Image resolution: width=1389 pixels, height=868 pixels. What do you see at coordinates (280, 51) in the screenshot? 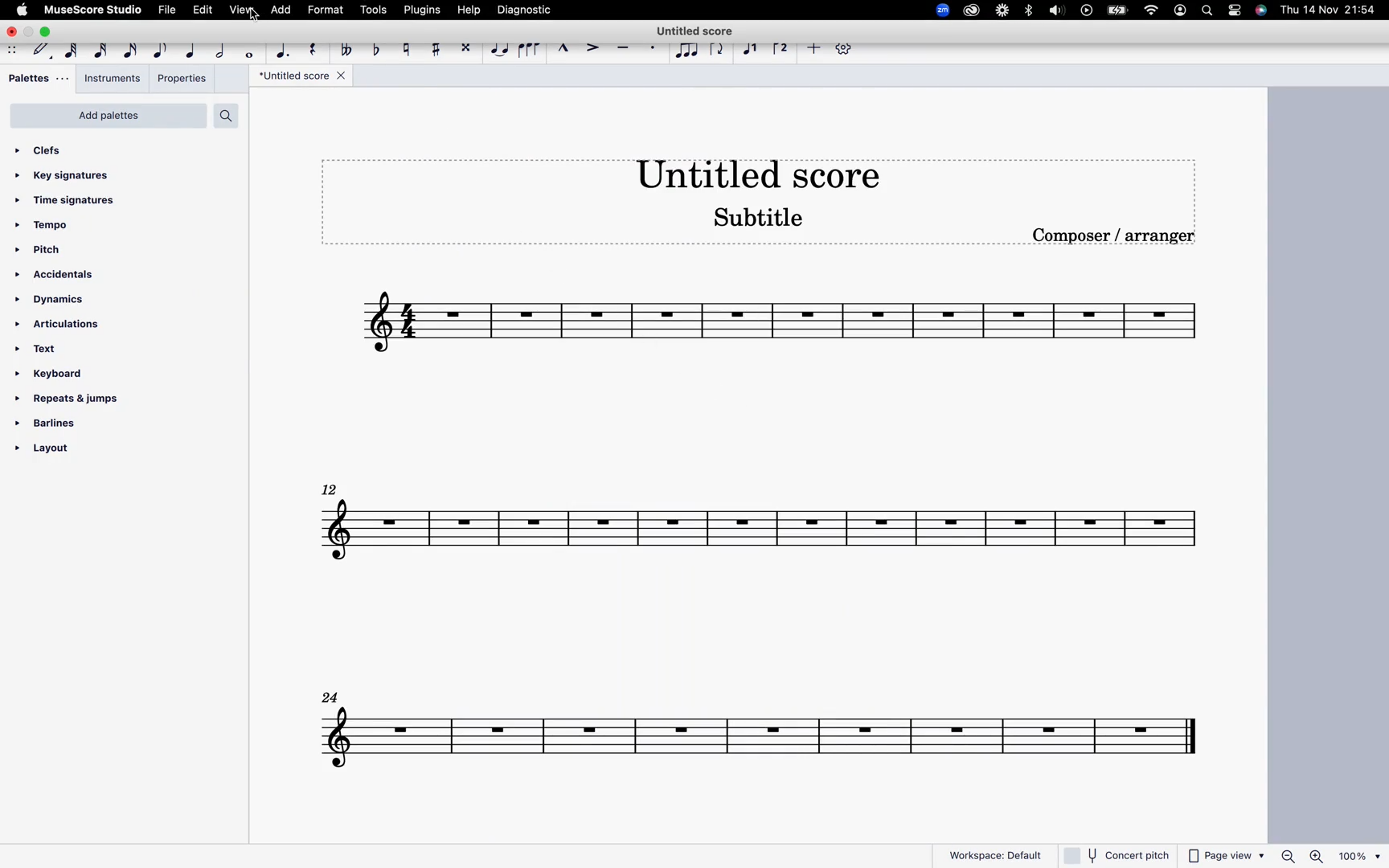
I see `augmentat` at bounding box center [280, 51].